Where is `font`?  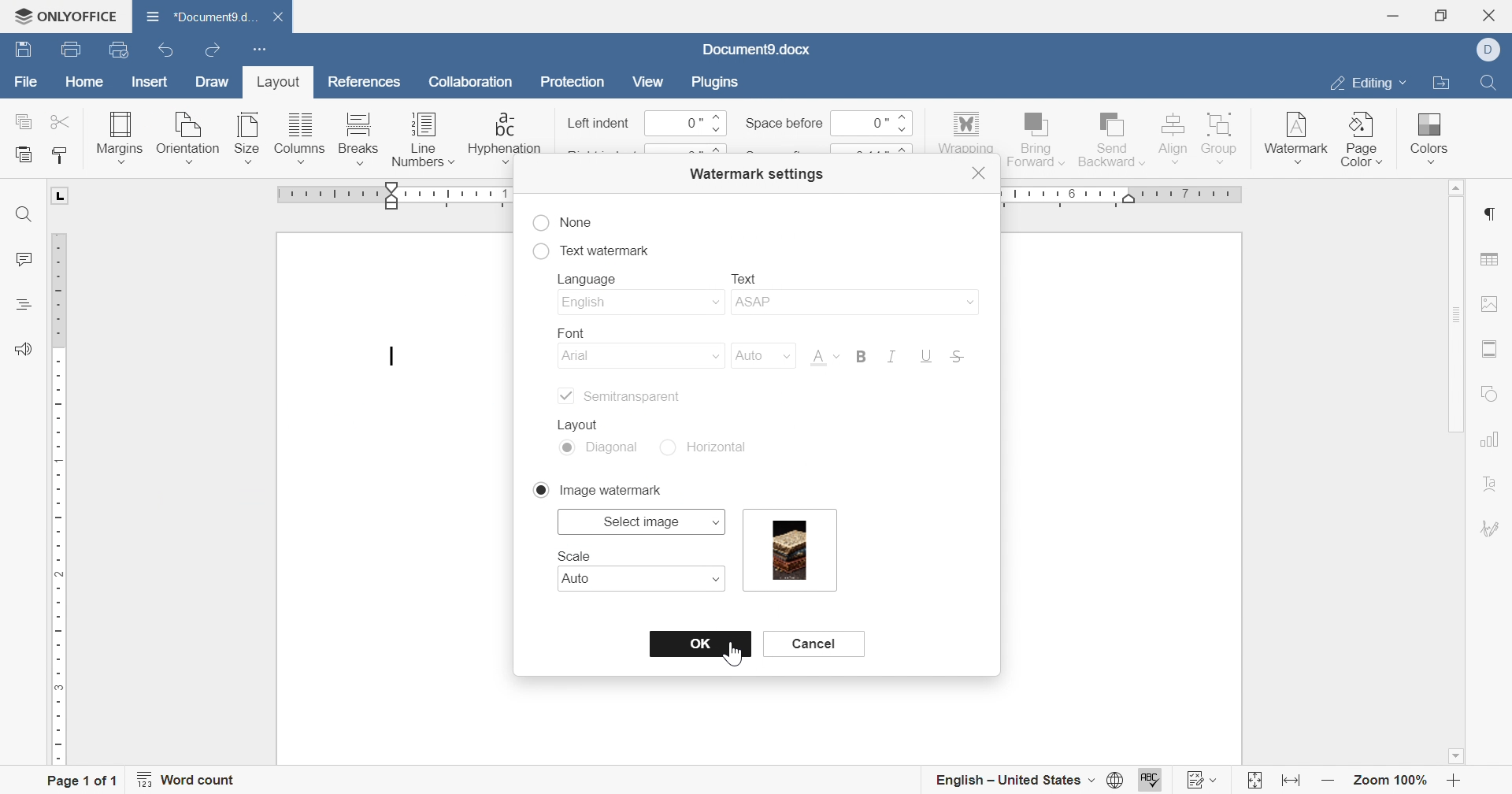 font is located at coordinates (565, 330).